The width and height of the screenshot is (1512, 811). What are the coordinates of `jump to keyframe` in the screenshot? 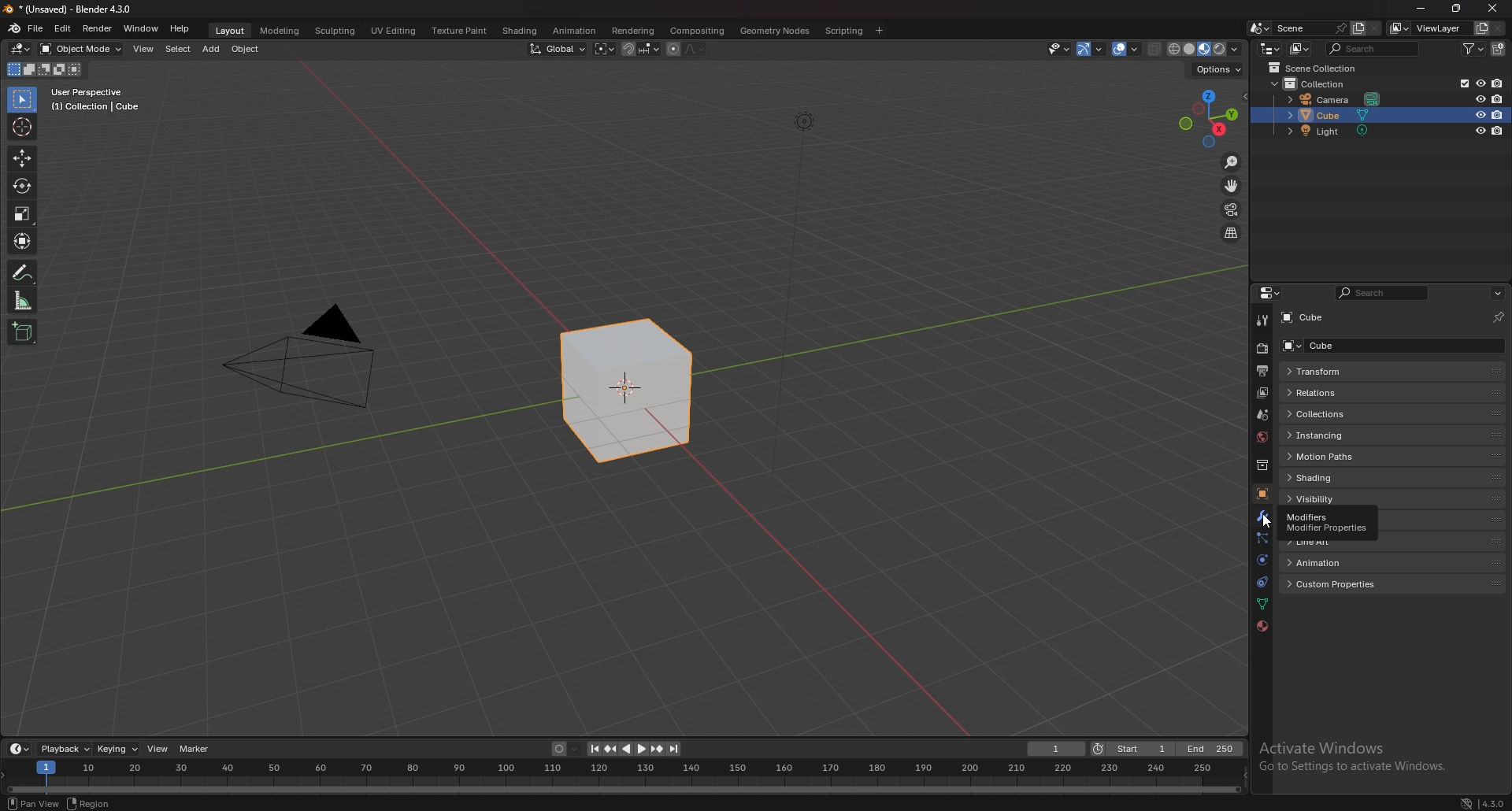 It's located at (658, 749).